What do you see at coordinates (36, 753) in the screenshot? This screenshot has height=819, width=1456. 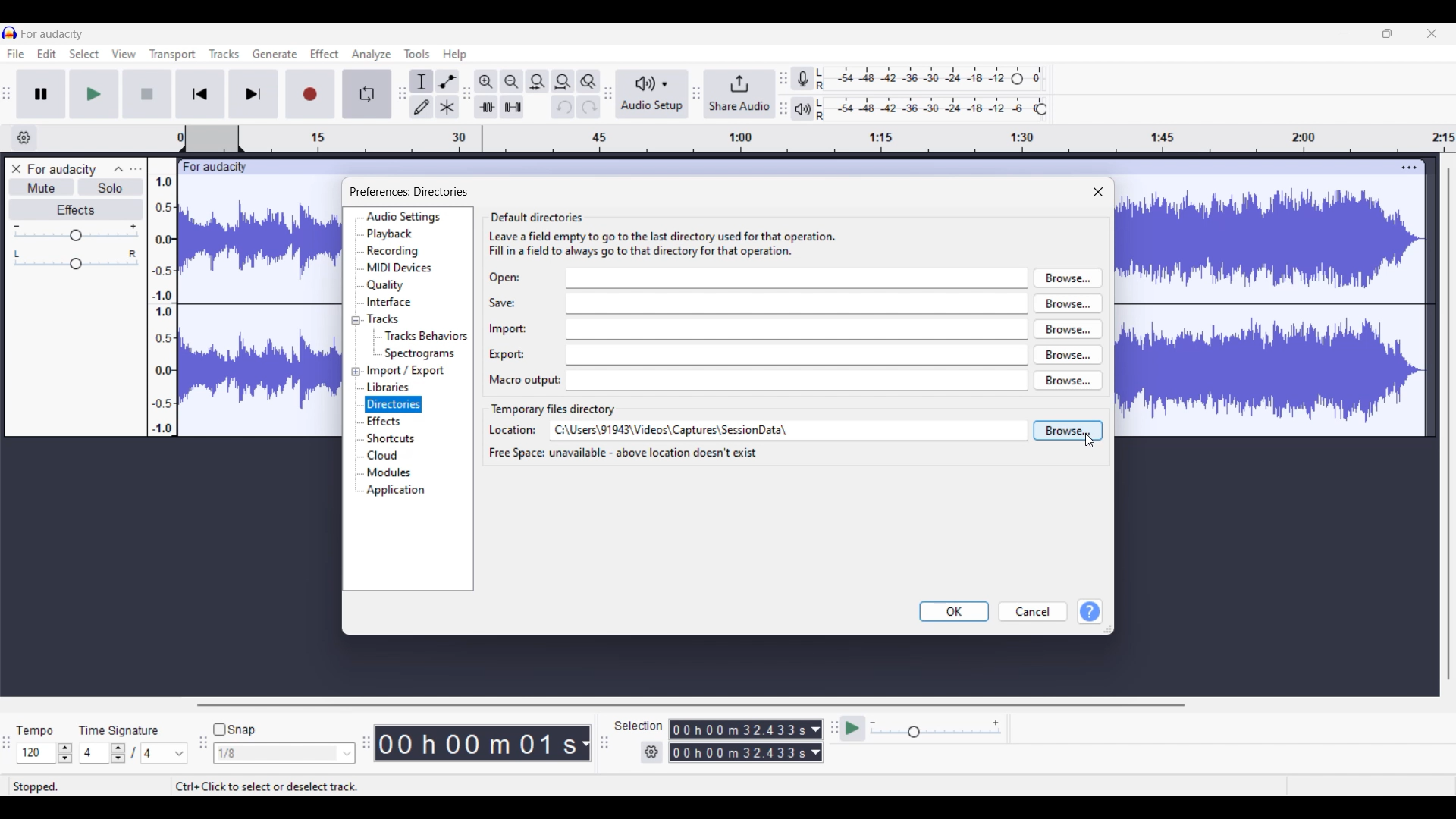 I see `Input tempo` at bounding box center [36, 753].